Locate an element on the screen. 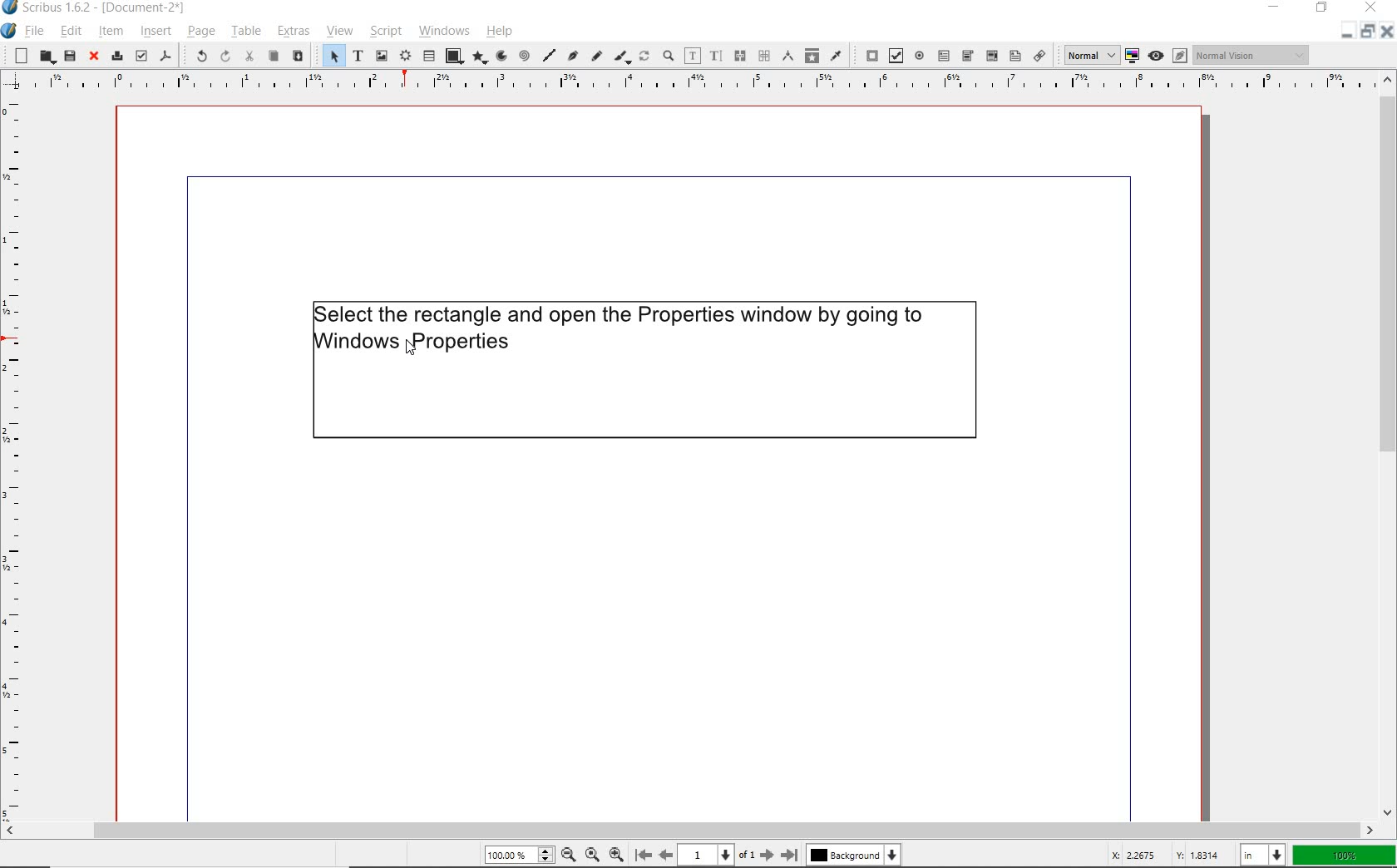  cursor is located at coordinates (412, 350).